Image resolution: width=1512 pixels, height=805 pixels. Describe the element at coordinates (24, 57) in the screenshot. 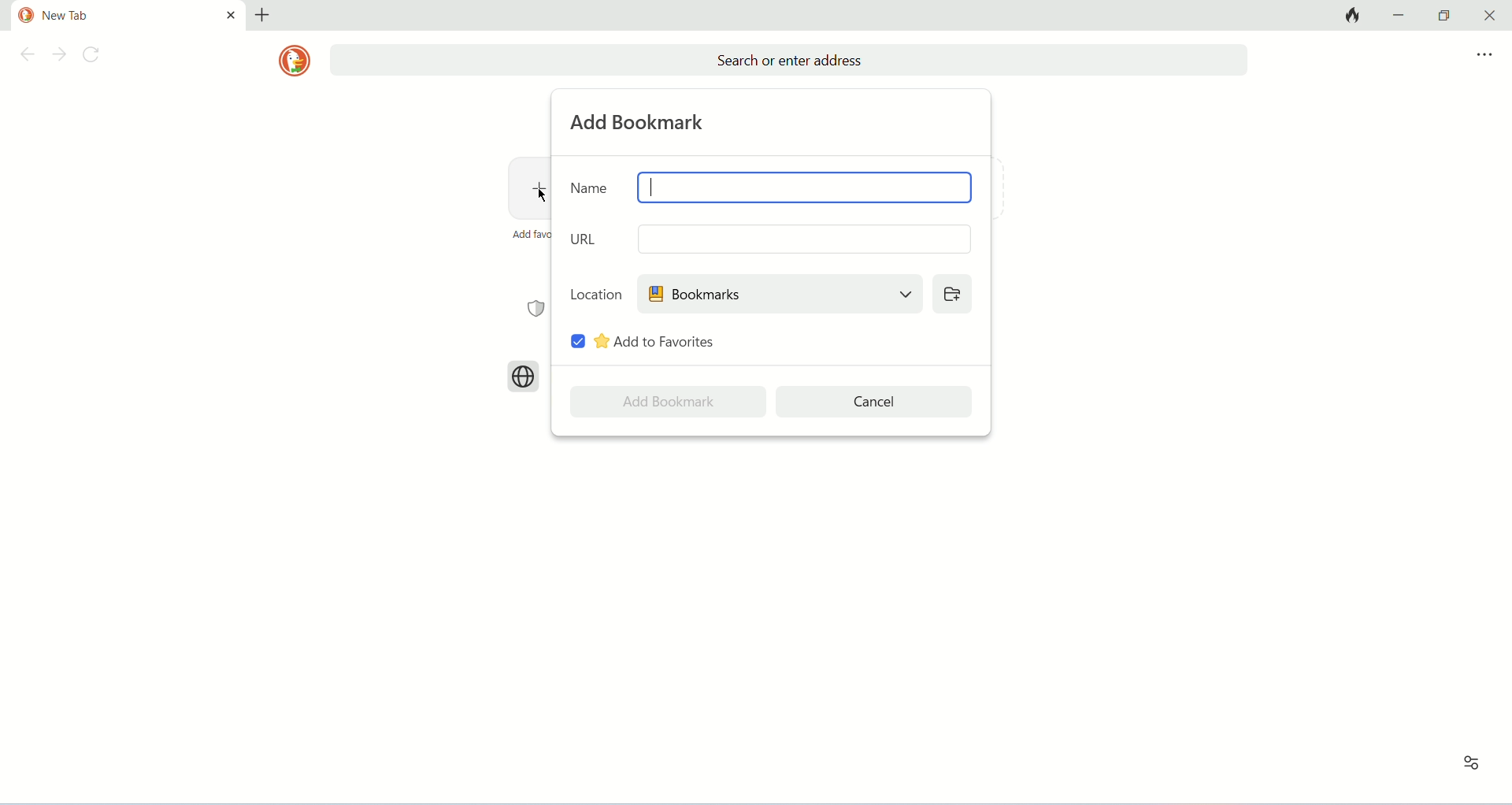

I see `go back` at that location.